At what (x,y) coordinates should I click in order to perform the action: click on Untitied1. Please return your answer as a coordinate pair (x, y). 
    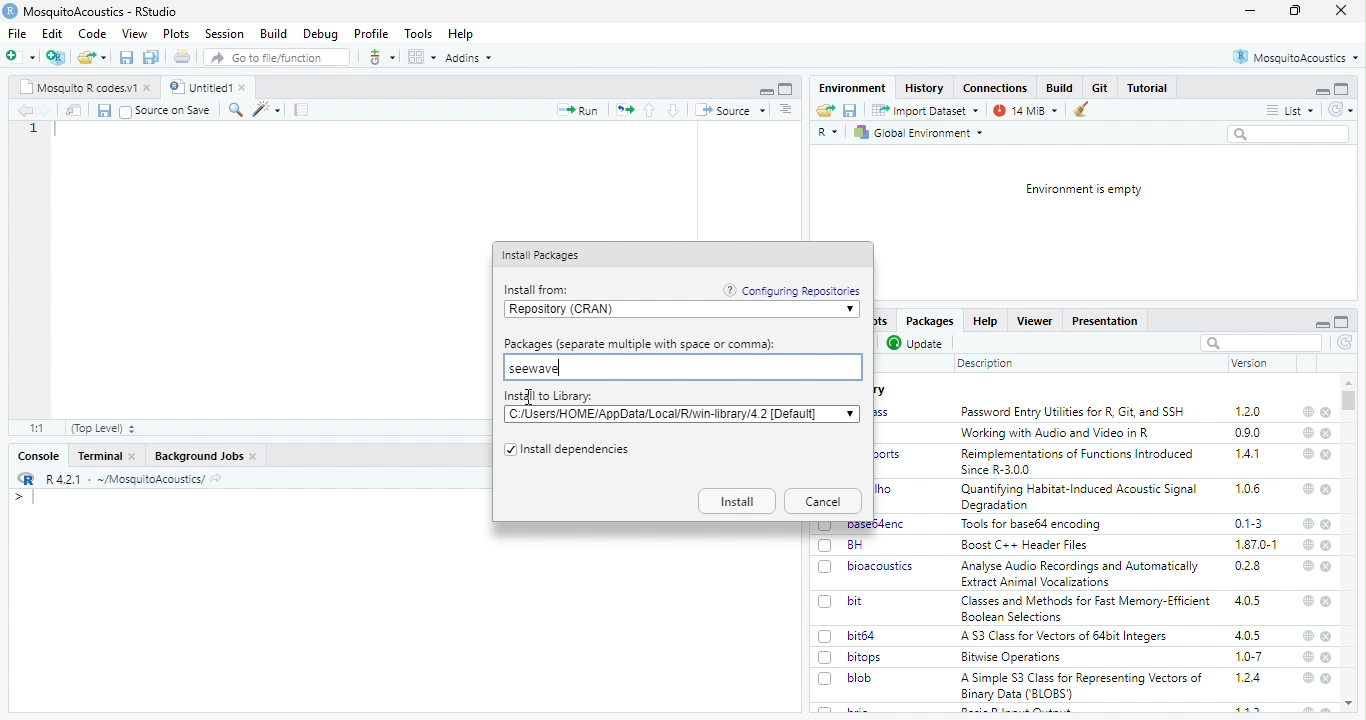
    Looking at the image, I should click on (198, 87).